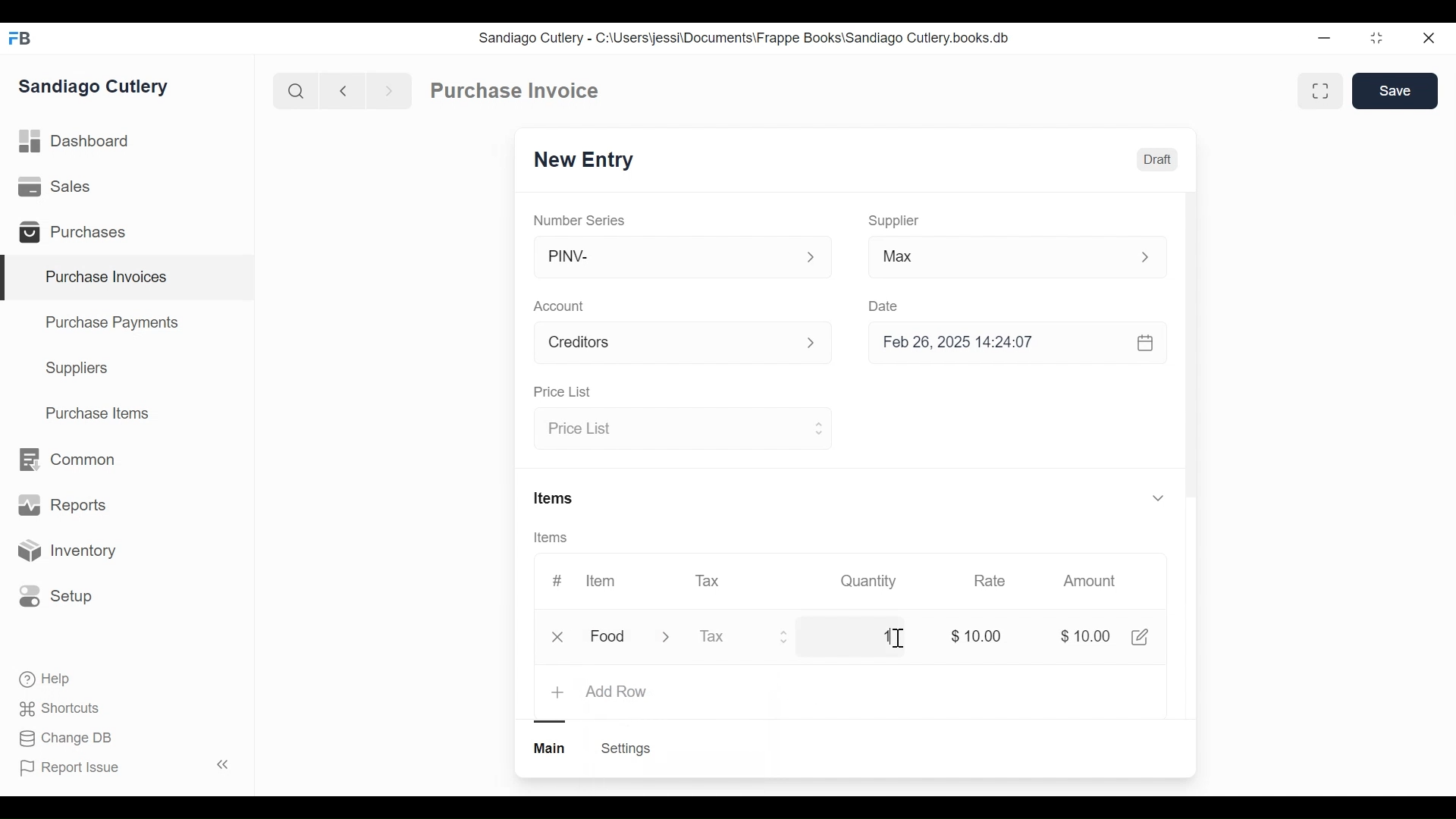 The image size is (1456, 819). What do you see at coordinates (1427, 39) in the screenshot?
I see `close` at bounding box center [1427, 39].